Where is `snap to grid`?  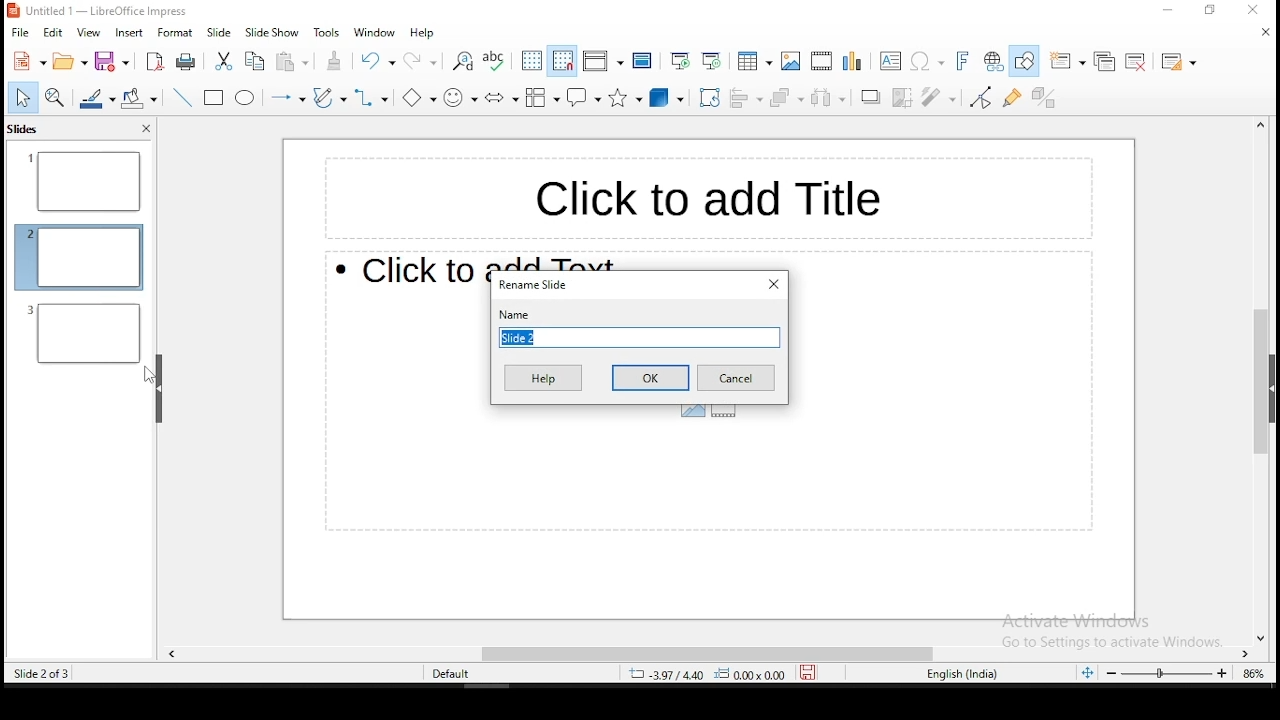
snap to grid is located at coordinates (560, 62).